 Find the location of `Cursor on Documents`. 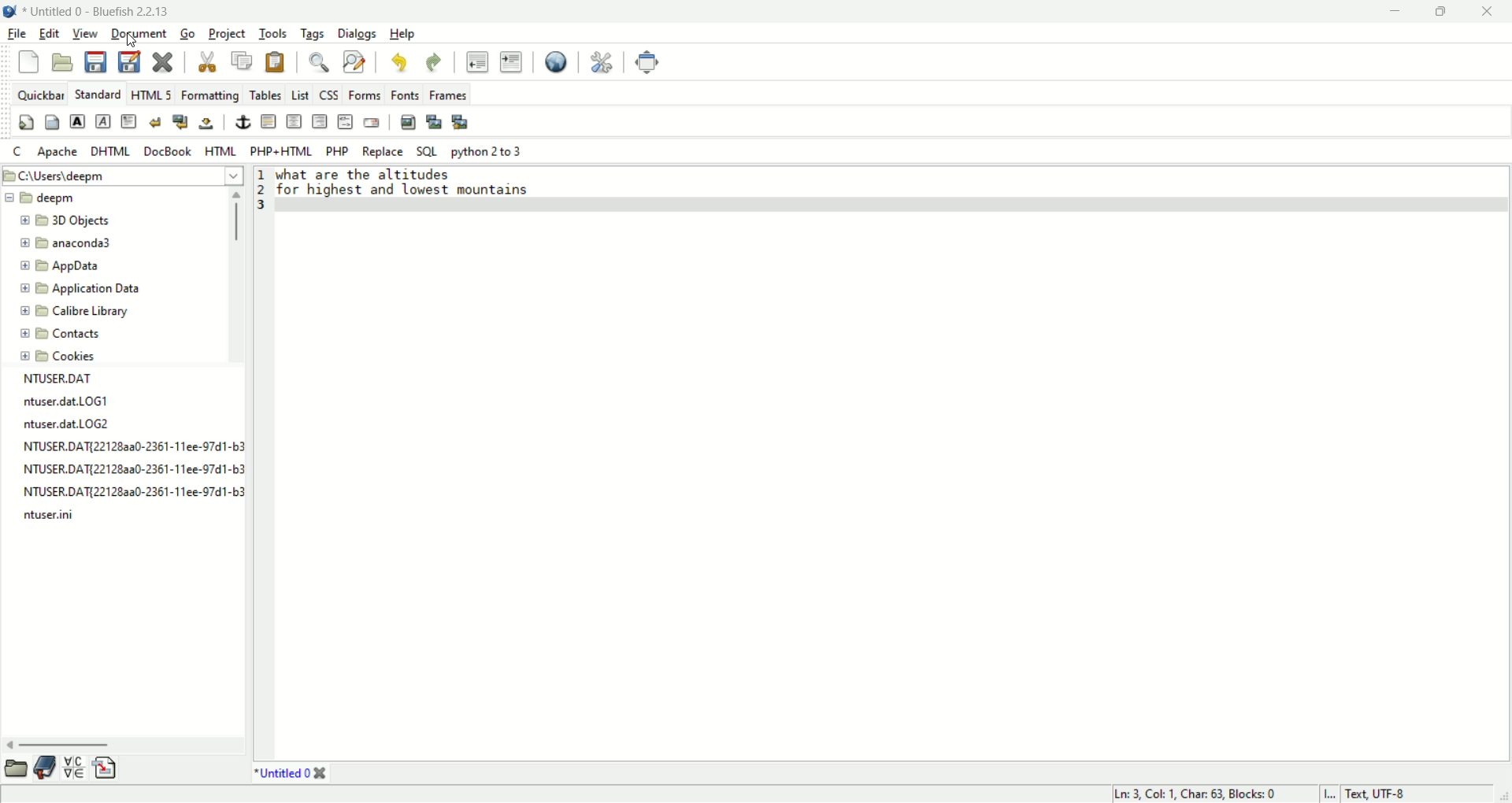

Cursor on Documents is located at coordinates (134, 42).